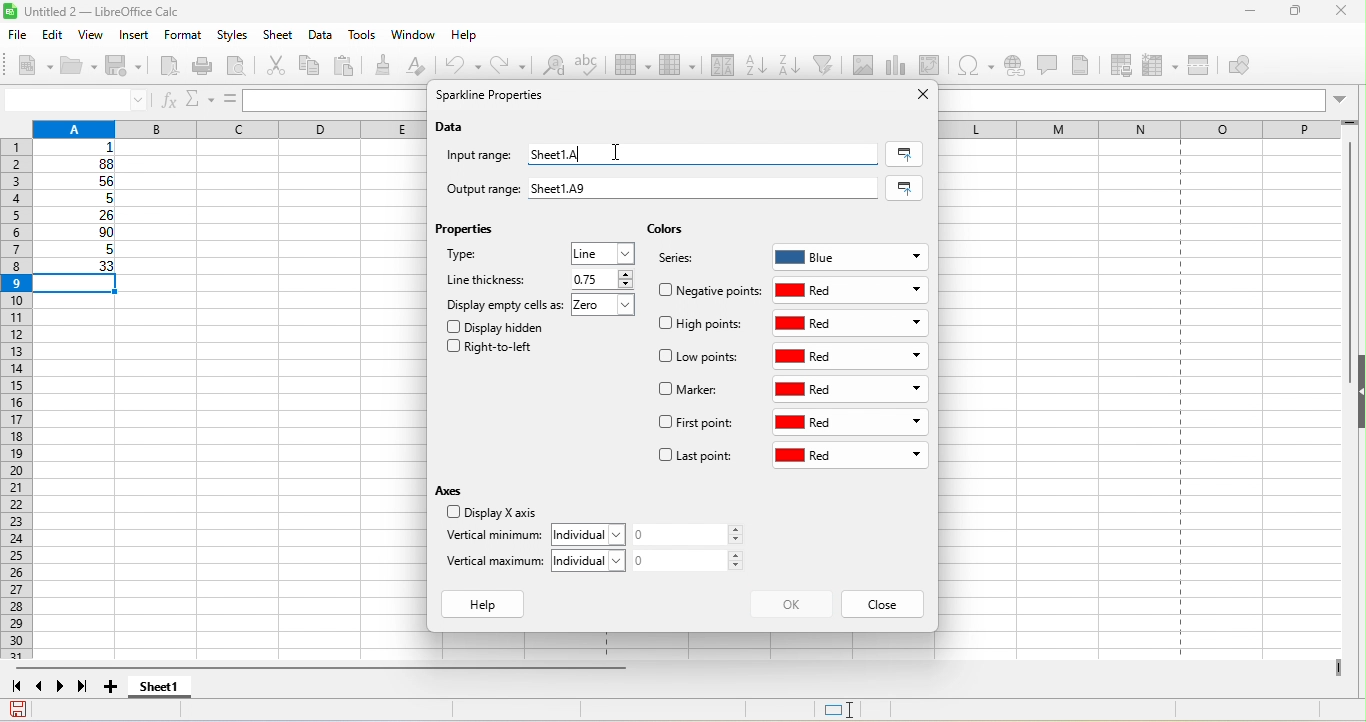 This screenshot has width=1366, height=722. I want to click on red, so click(853, 290).